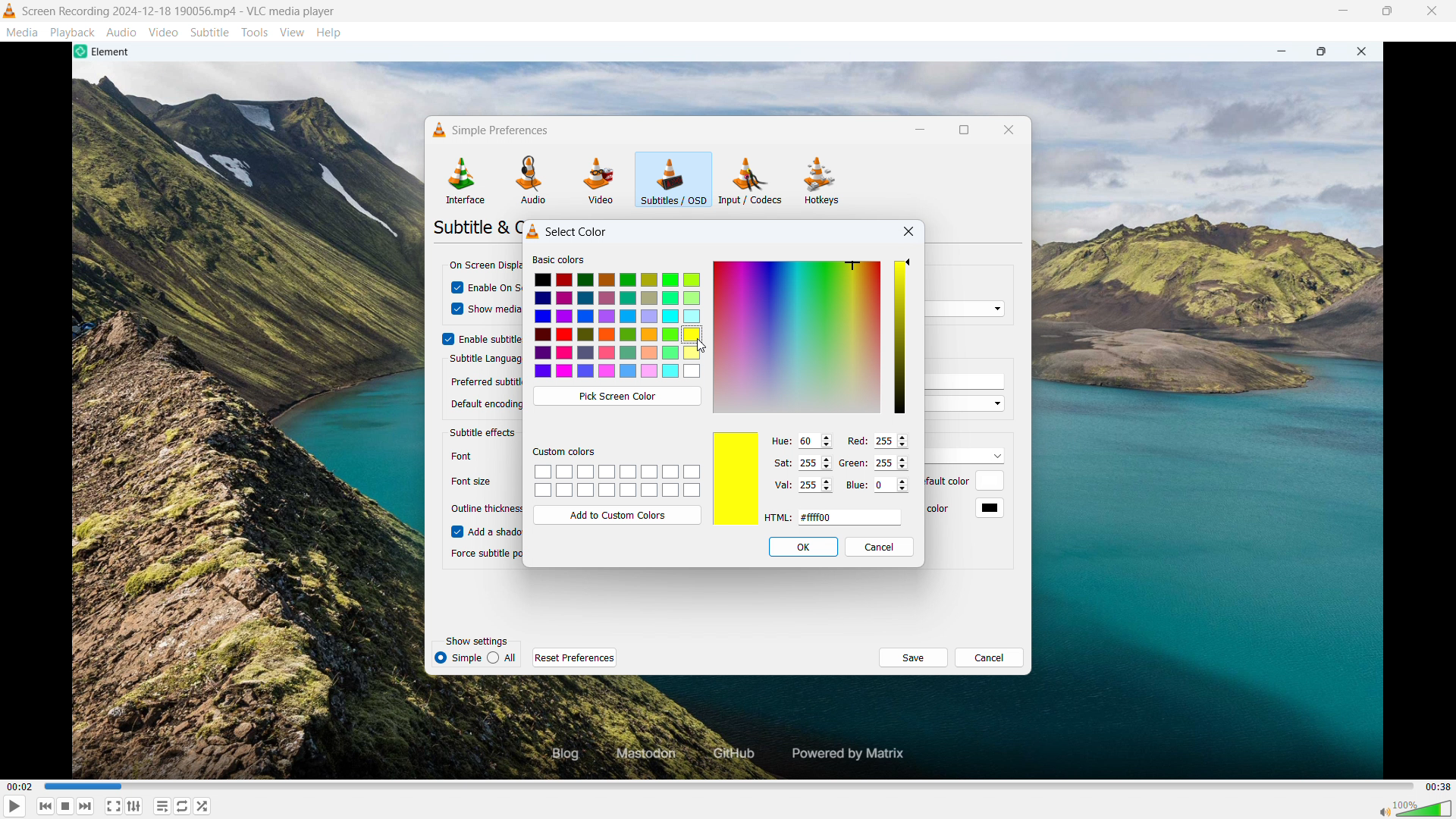 This screenshot has width=1456, height=819. Describe the element at coordinates (454, 289) in the screenshot. I see `checkbox` at that location.